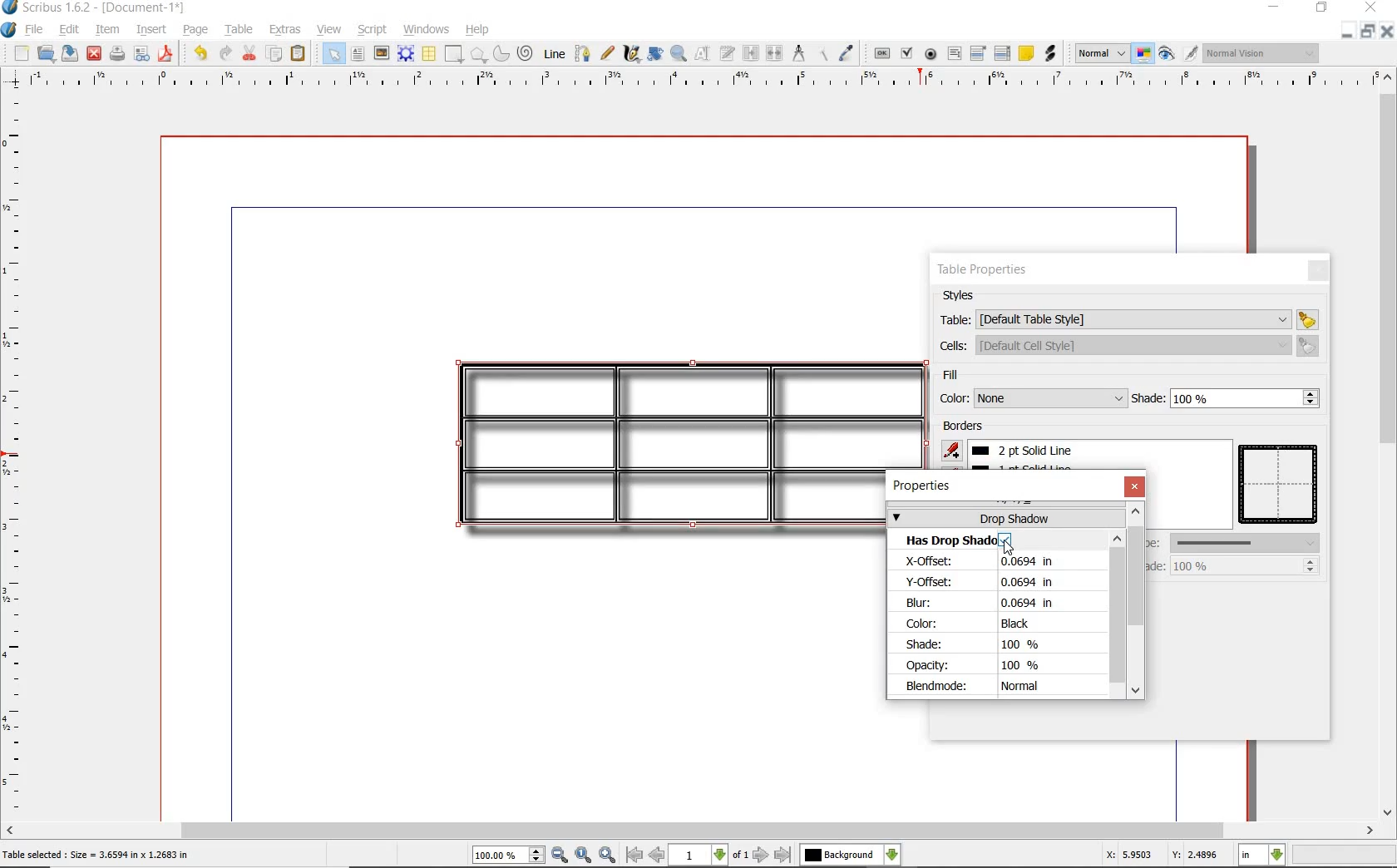  Describe the element at coordinates (679, 54) in the screenshot. I see `zoom in and out` at that location.